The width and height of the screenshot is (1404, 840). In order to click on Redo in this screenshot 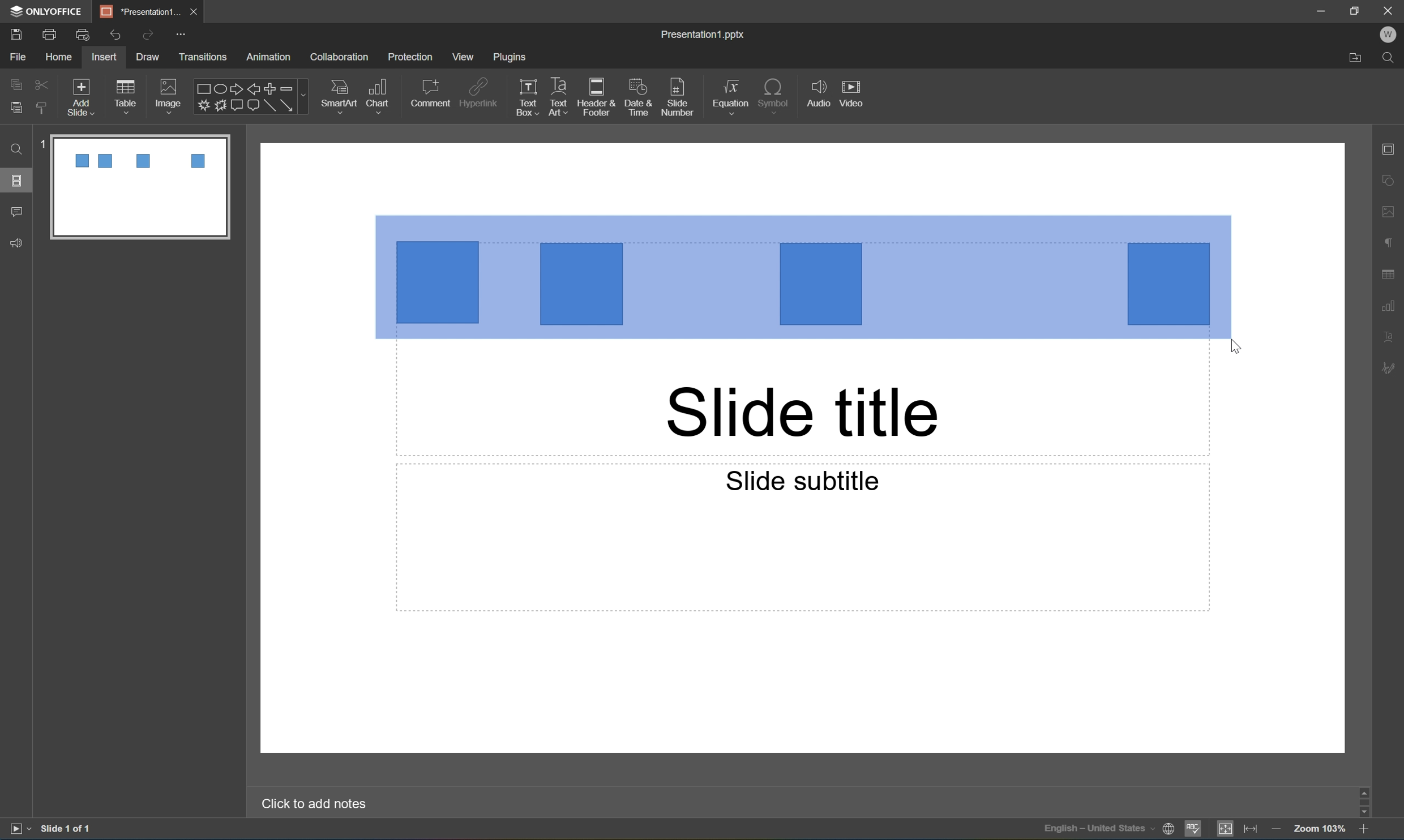, I will do `click(148, 36)`.